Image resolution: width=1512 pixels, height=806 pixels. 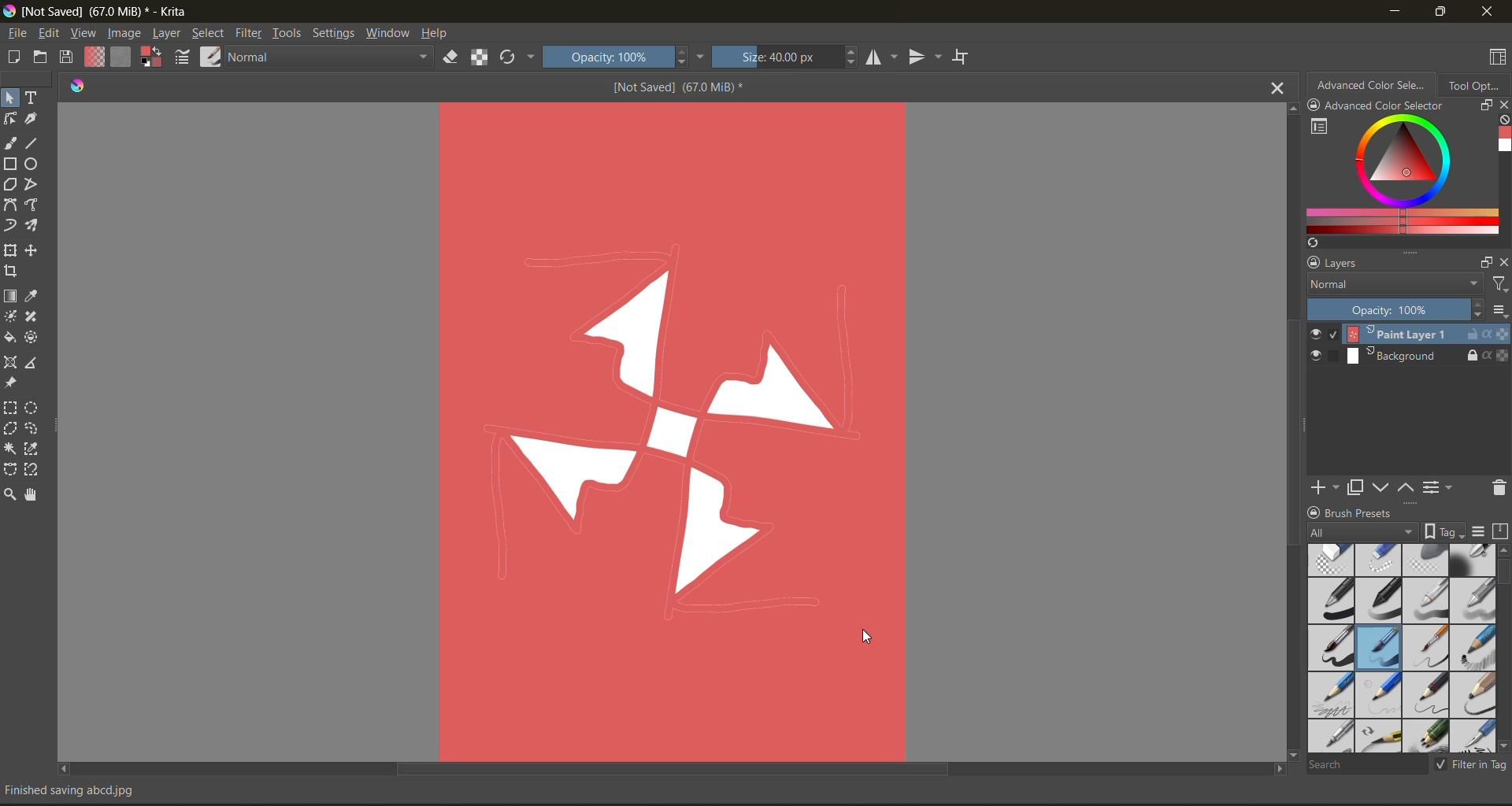 I want to click on tools, so click(x=9, y=294).